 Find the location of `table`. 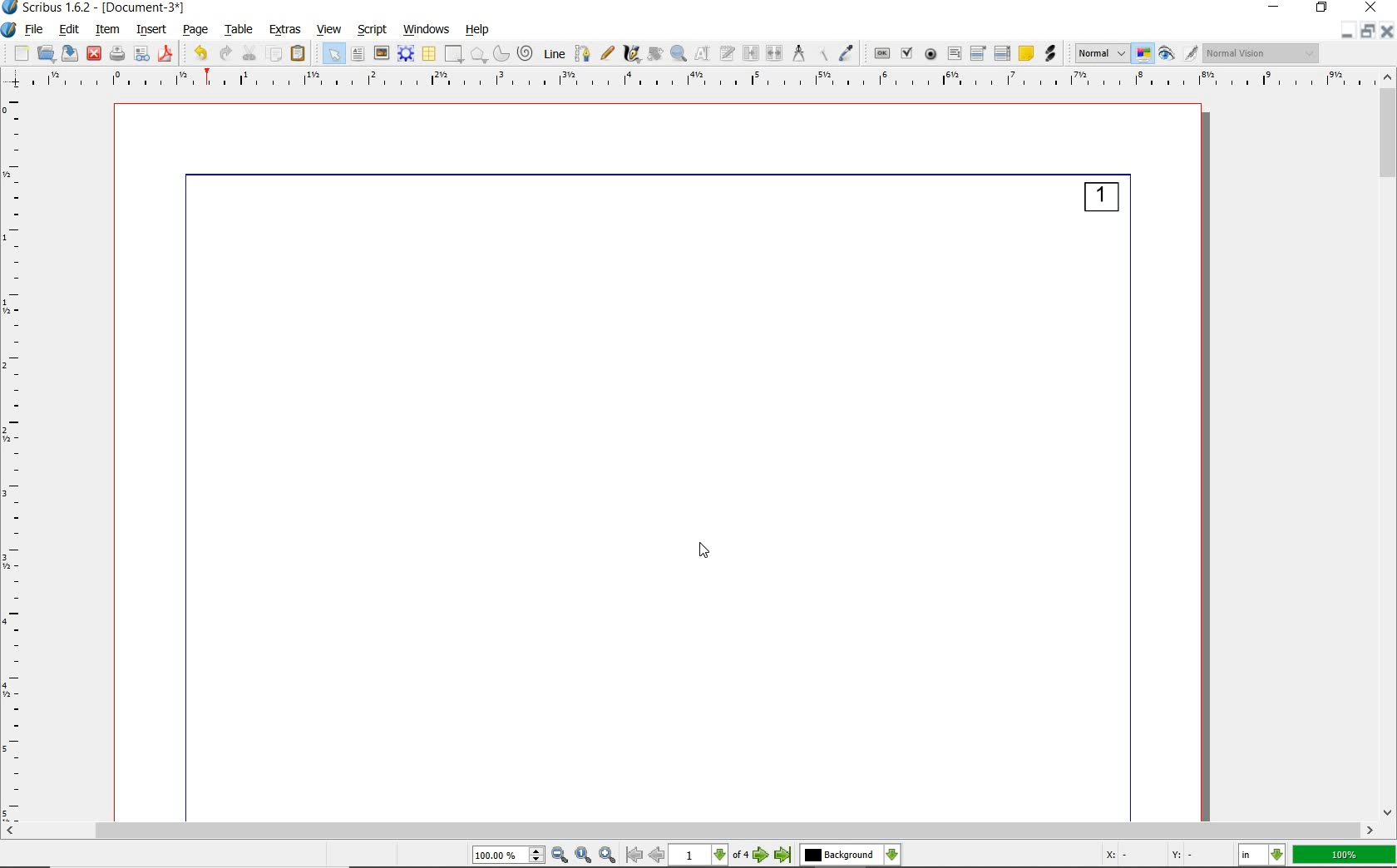

table is located at coordinates (238, 30).